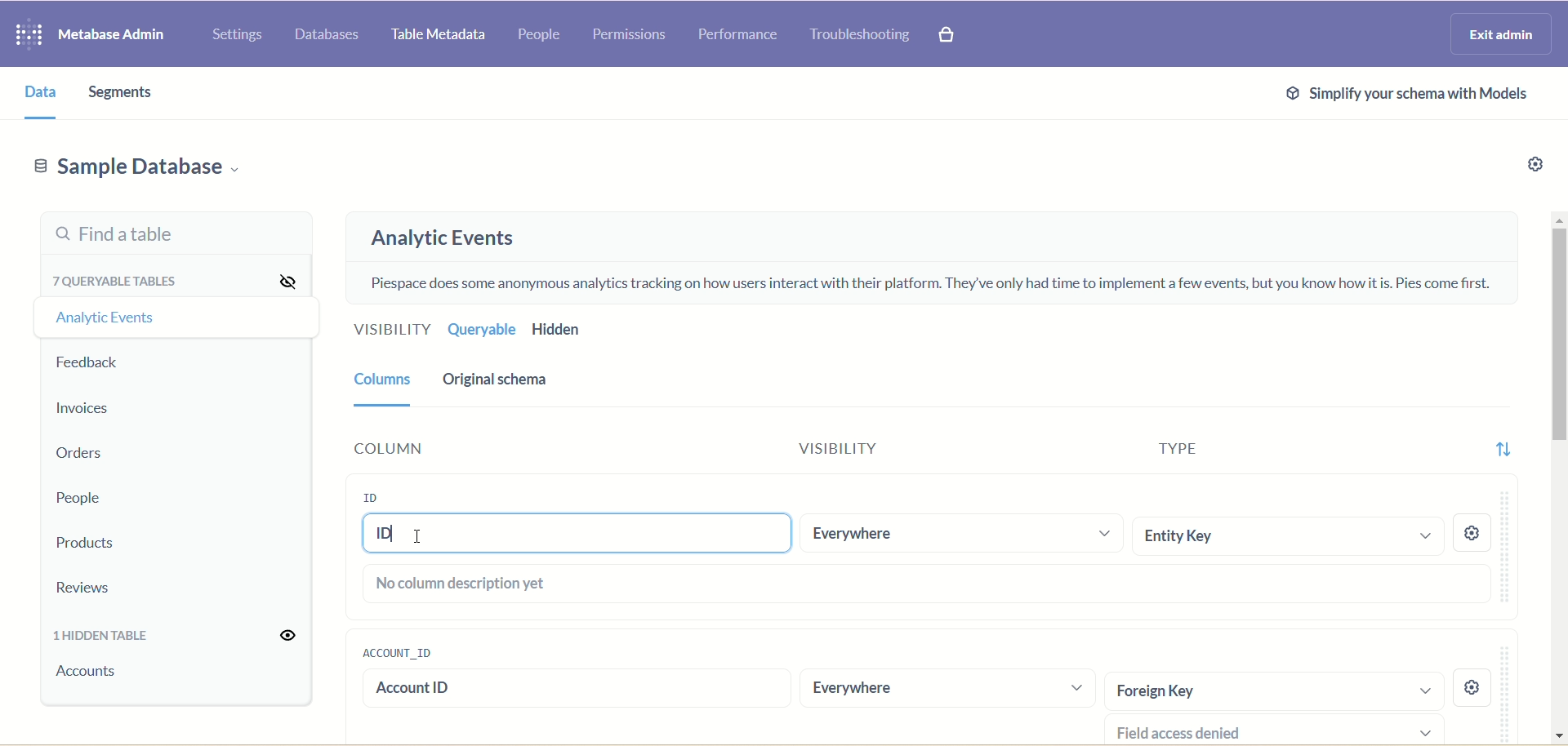  Describe the element at coordinates (110, 323) in the screenshot. I see `Analytic events` at that location.